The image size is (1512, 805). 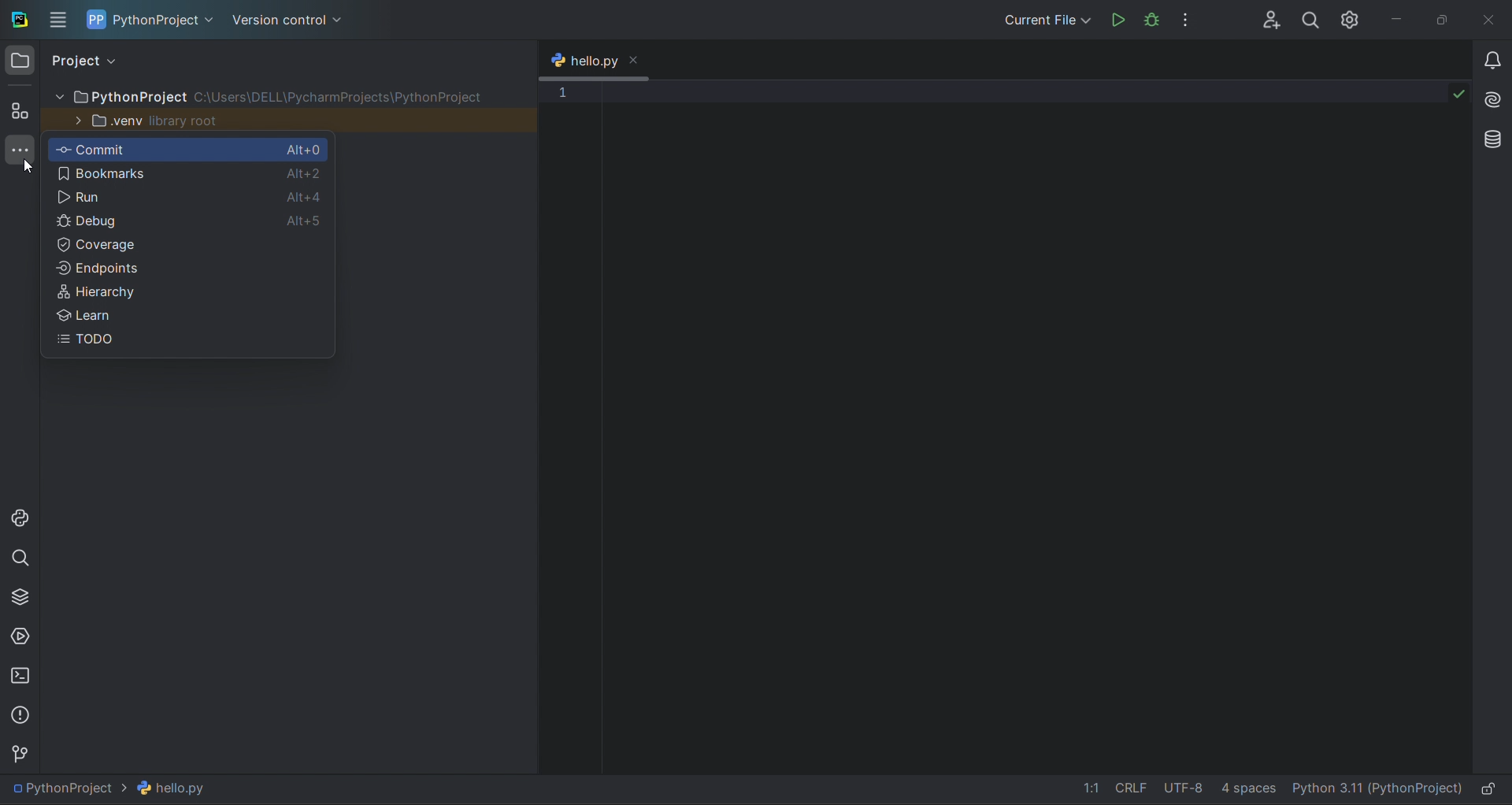 What do you see at coordinates (22, 61) in the screenshot?
I see `project window` at bounding box center [22, 61].